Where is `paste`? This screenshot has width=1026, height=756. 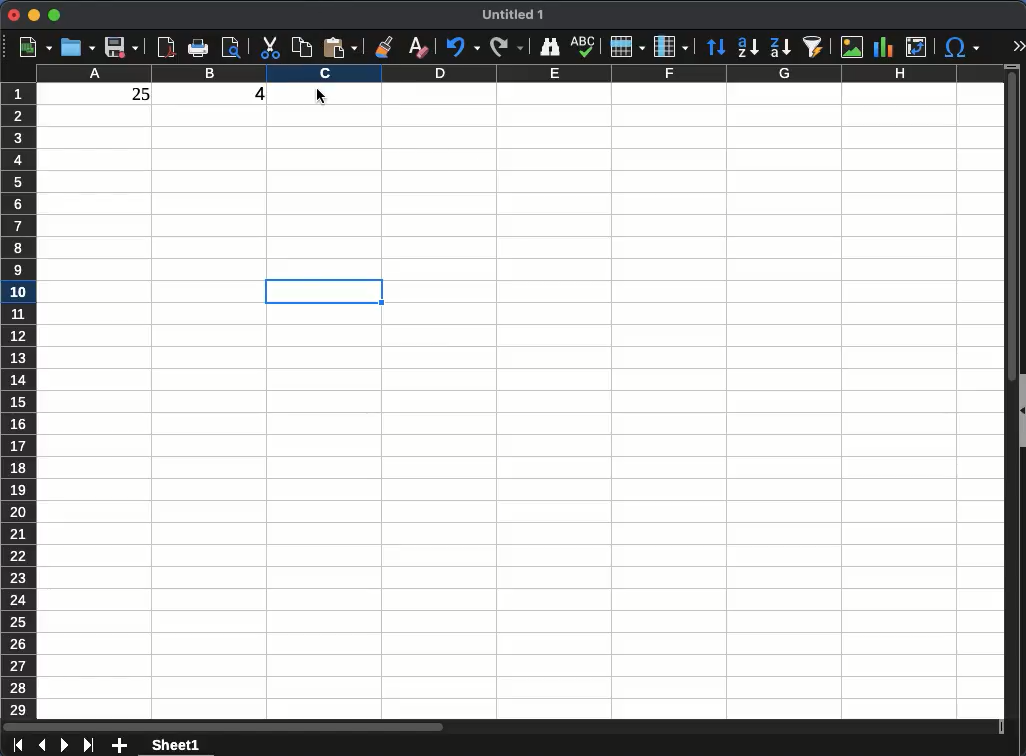 paste is located at coordinates (340, 48).